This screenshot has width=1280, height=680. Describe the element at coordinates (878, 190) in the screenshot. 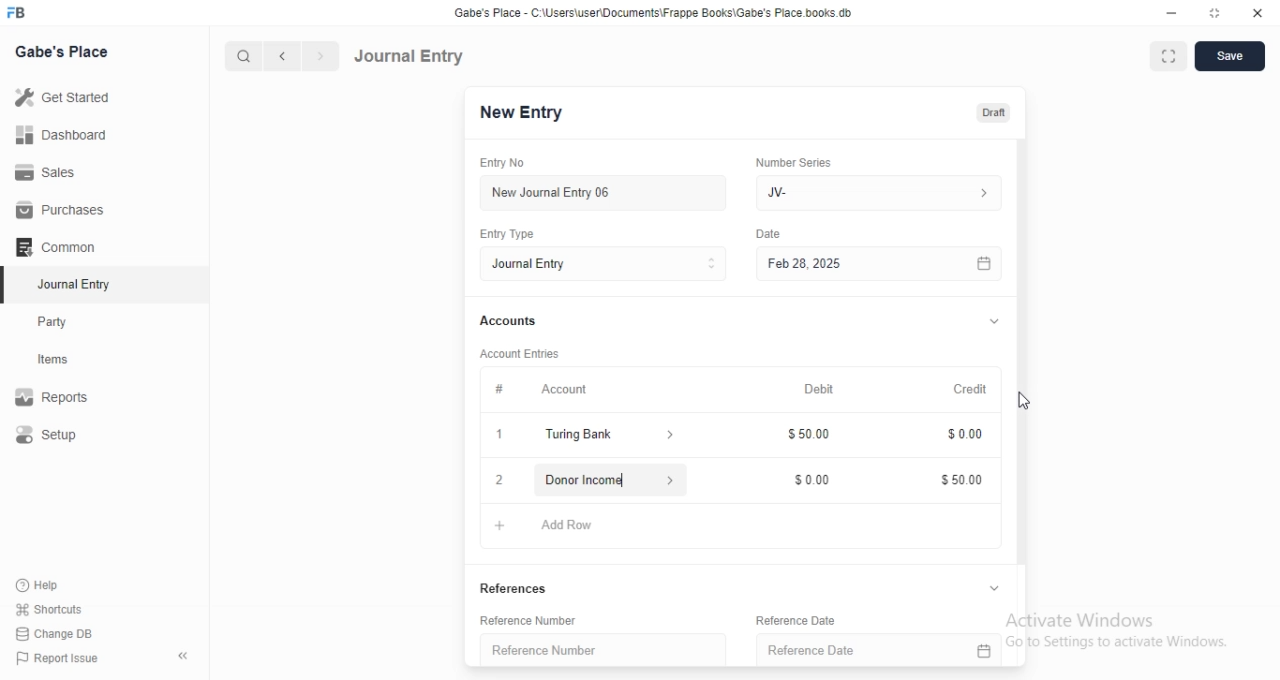

I see `JV-` at that location.